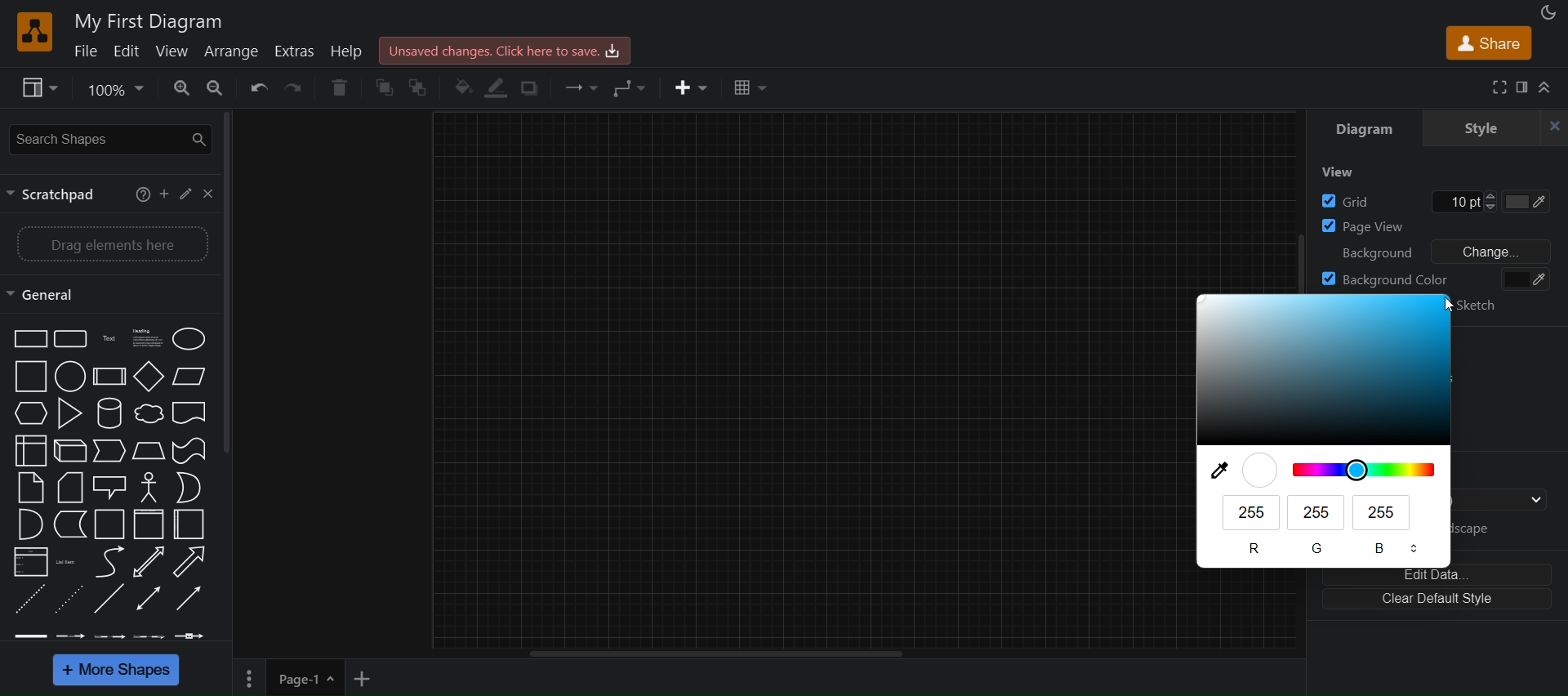 This screenshot has height=696, width=1568. Describe the element at coordinates (166, 196) in the screenshot. I see `add` at that location.